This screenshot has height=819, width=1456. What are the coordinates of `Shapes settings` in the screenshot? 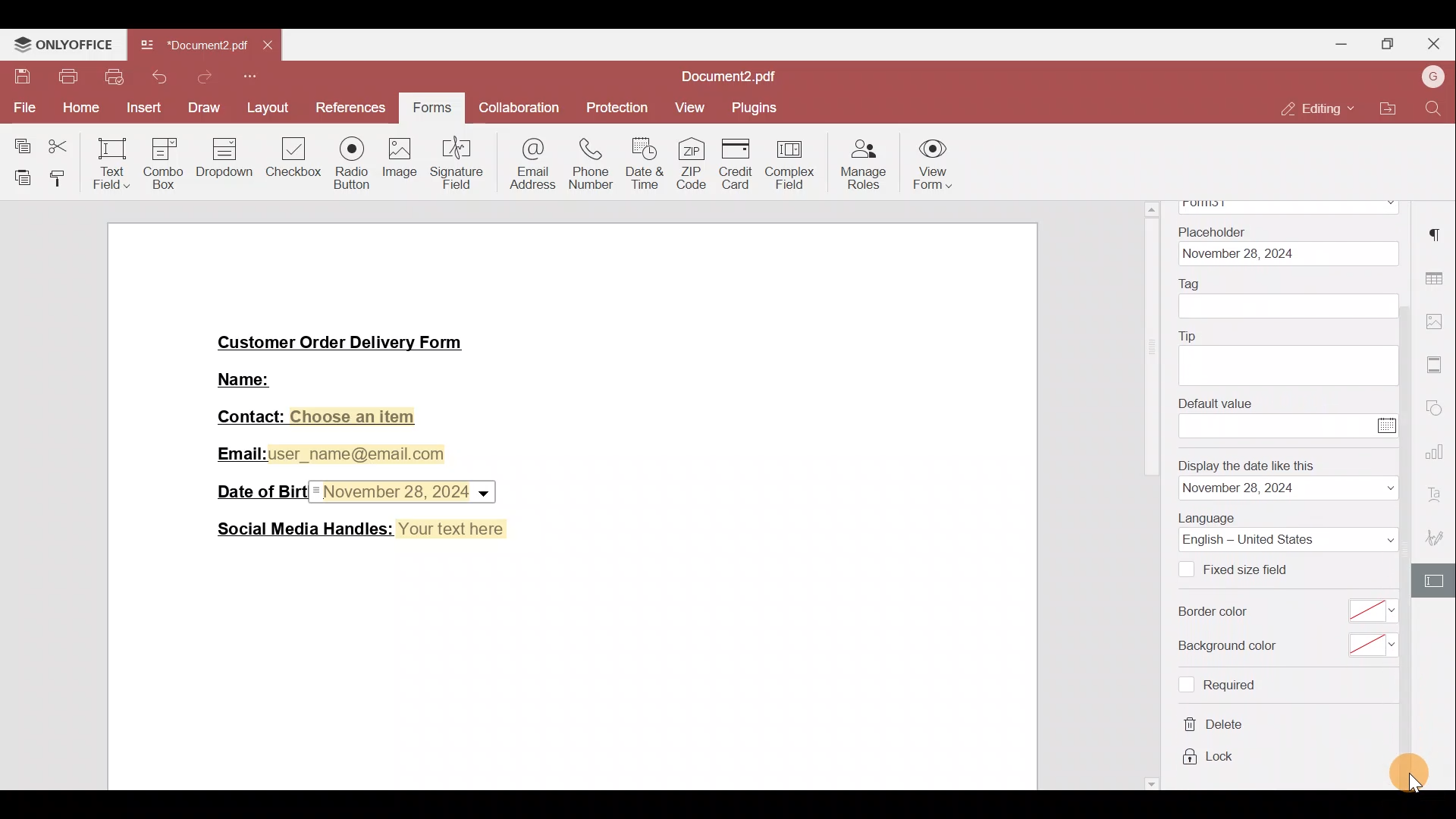 It's located at (1436, 409).